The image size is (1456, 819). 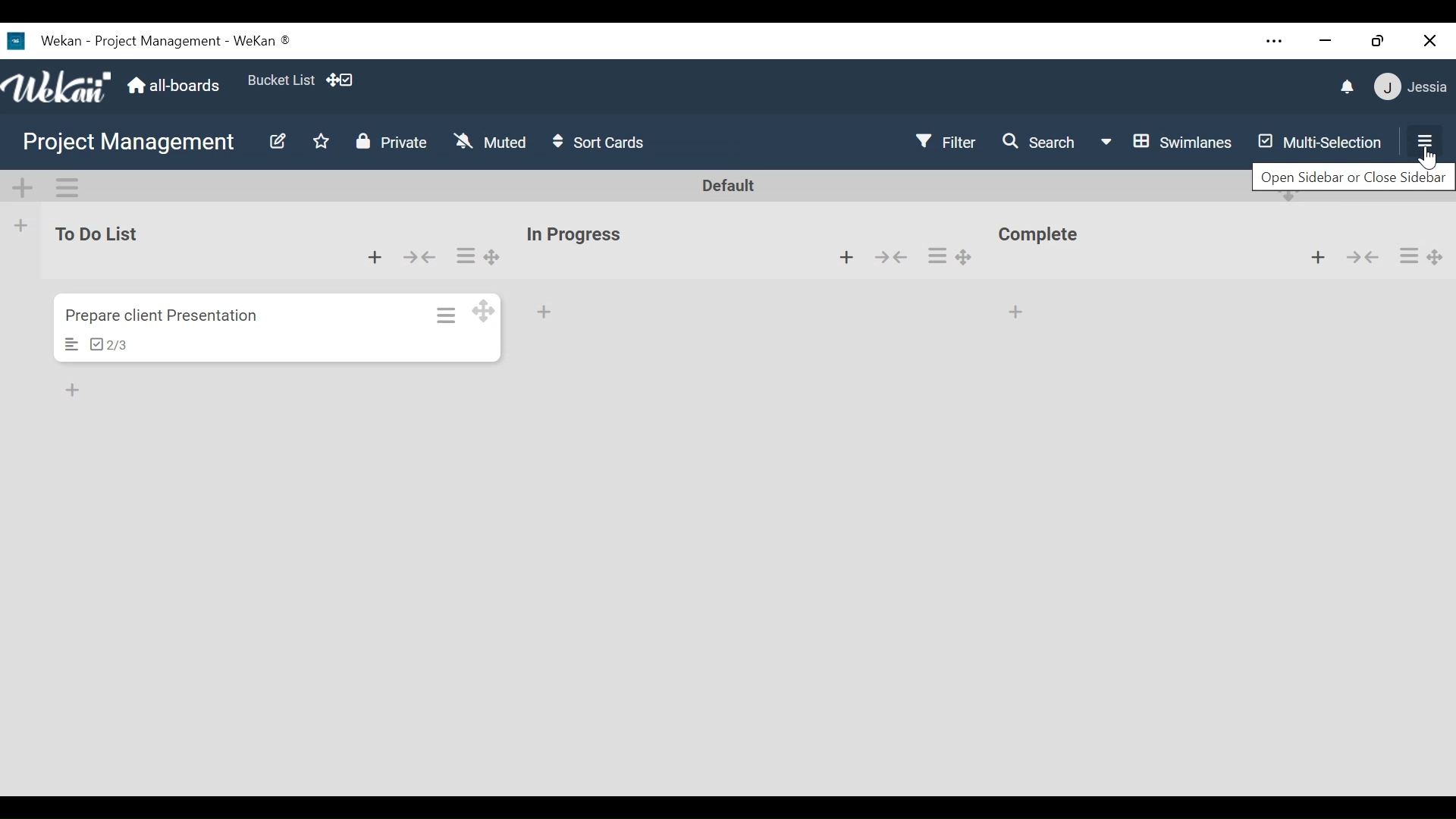 I want to click on Card Title, so click(x=171, y=315).